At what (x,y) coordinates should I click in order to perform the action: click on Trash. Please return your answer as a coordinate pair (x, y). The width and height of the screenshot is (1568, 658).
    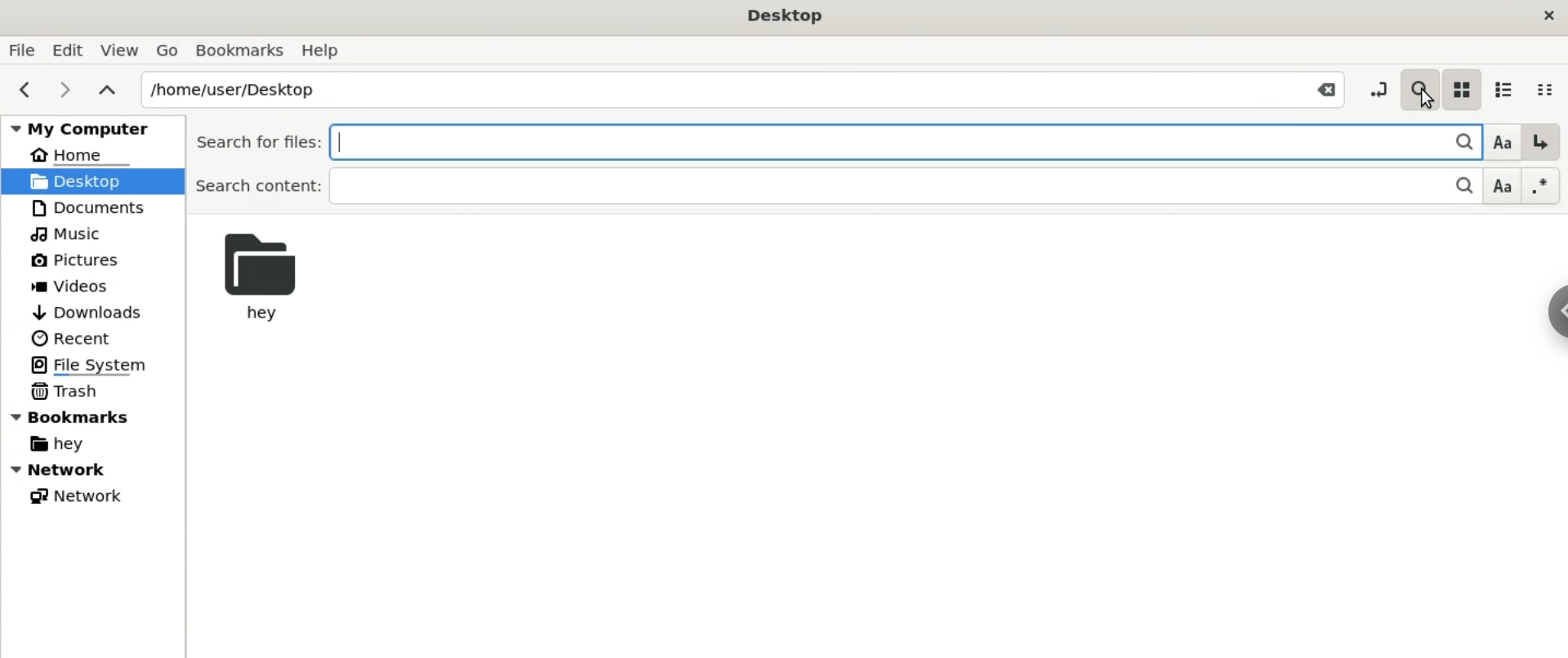
    Looking at the image, I should click on (65, 390).